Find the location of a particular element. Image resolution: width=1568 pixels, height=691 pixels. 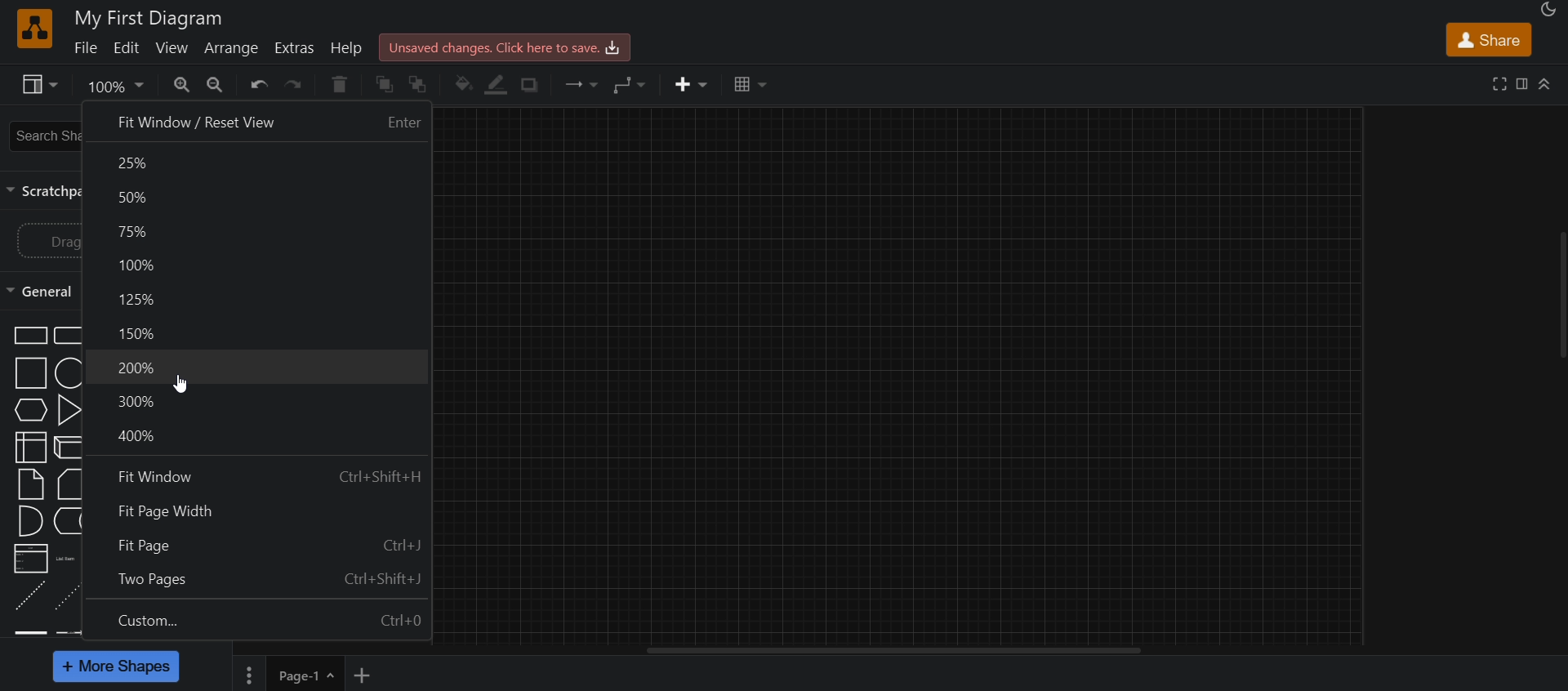

arrange is located at coordinates (232, 47).